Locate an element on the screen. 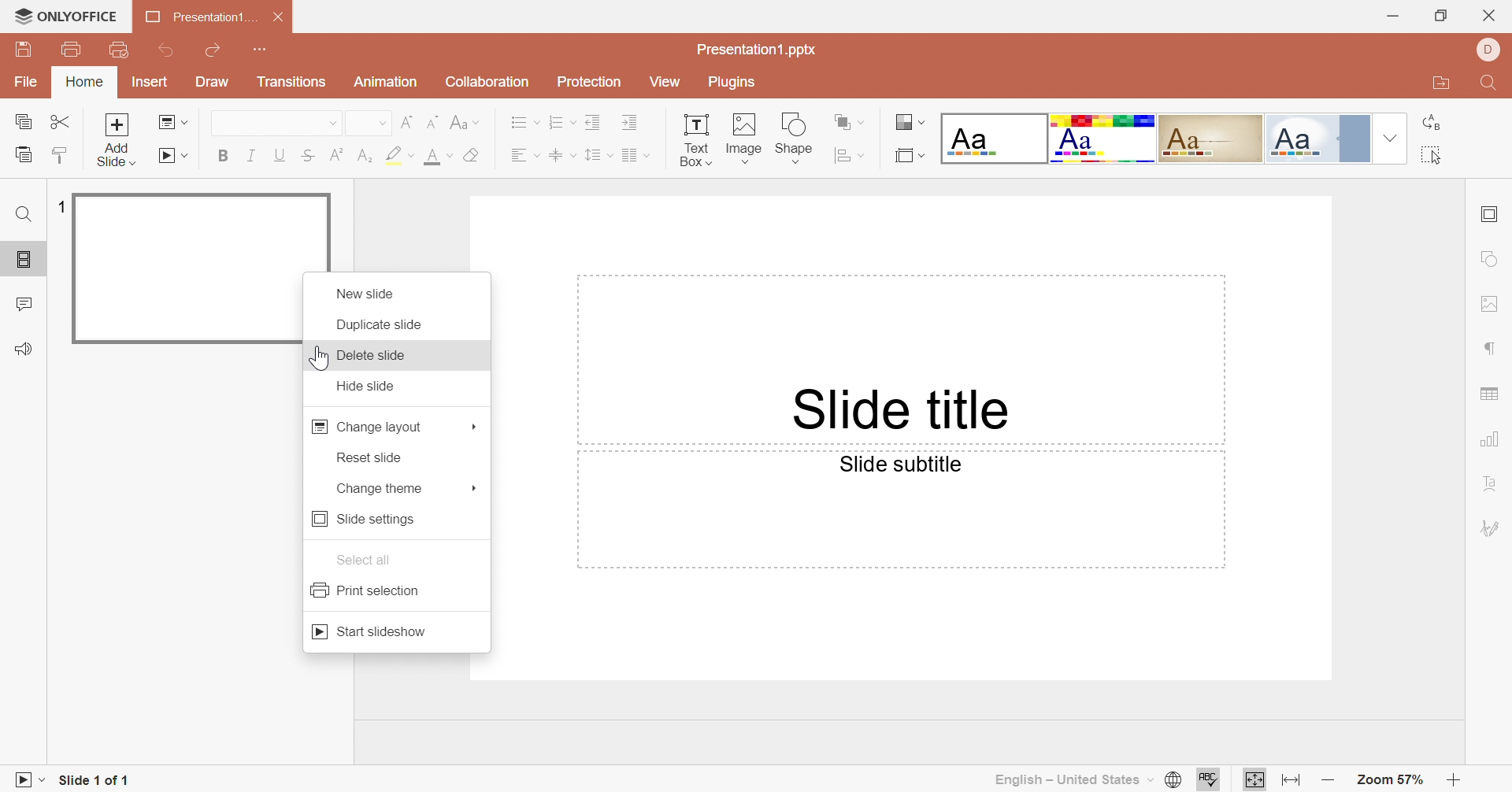 Image resolution: width=1512 pixels, height=792 pixels. Drop Down is located at coordinates (450, 154).